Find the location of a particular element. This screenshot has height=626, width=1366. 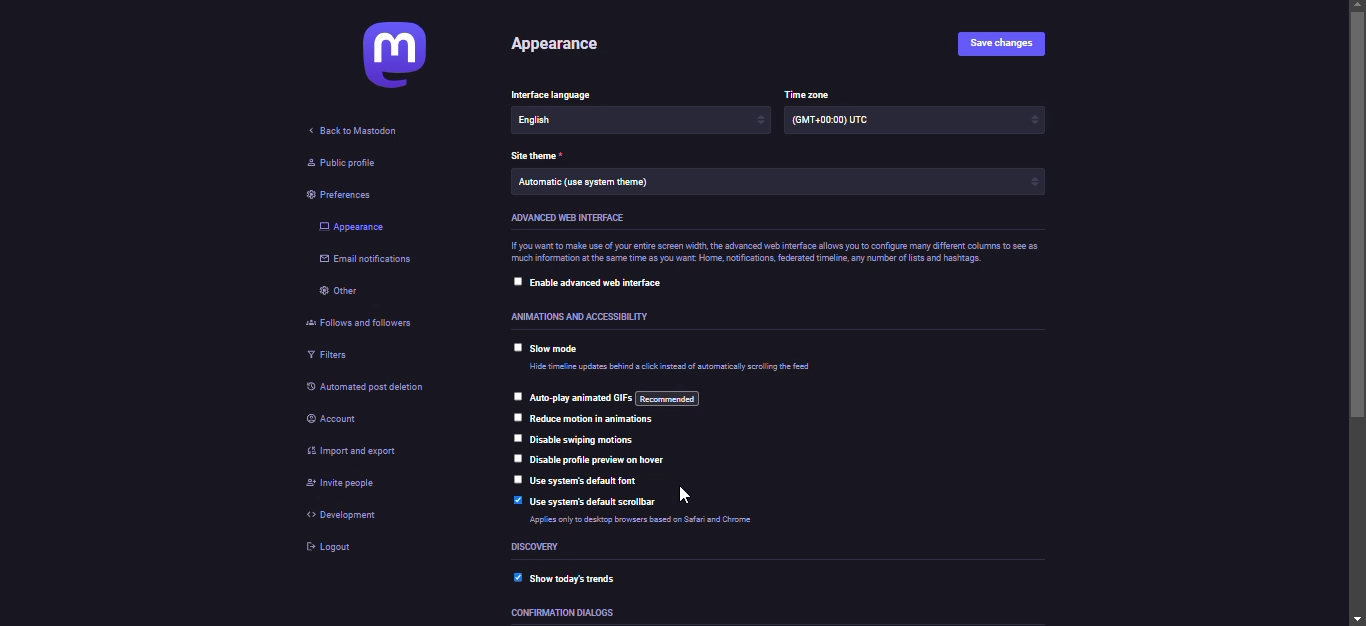

reduce motion in animations is located at coordinates (596, 420).